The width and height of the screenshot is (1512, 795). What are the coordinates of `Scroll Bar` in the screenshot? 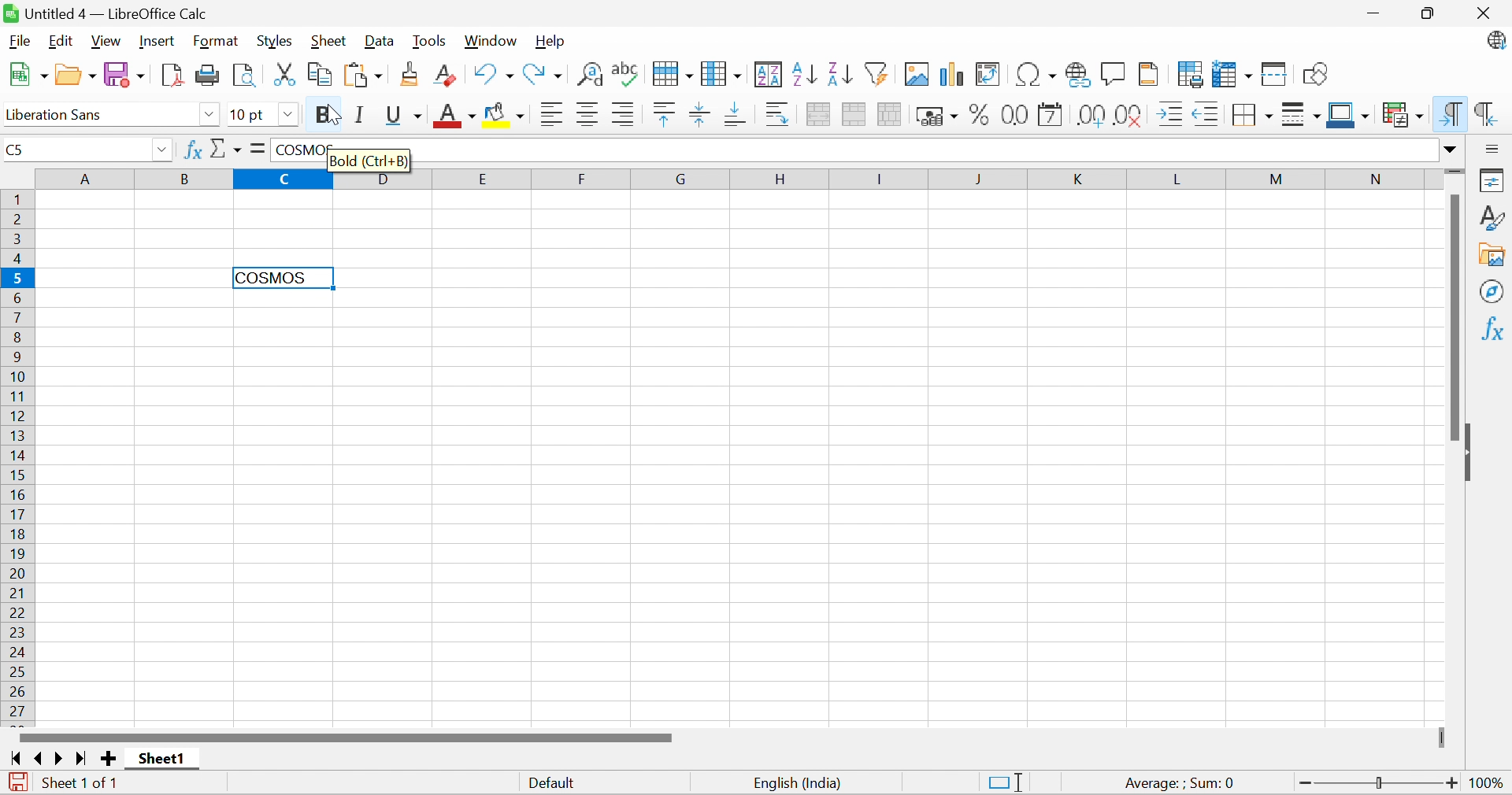 It's located at (1452, 317).